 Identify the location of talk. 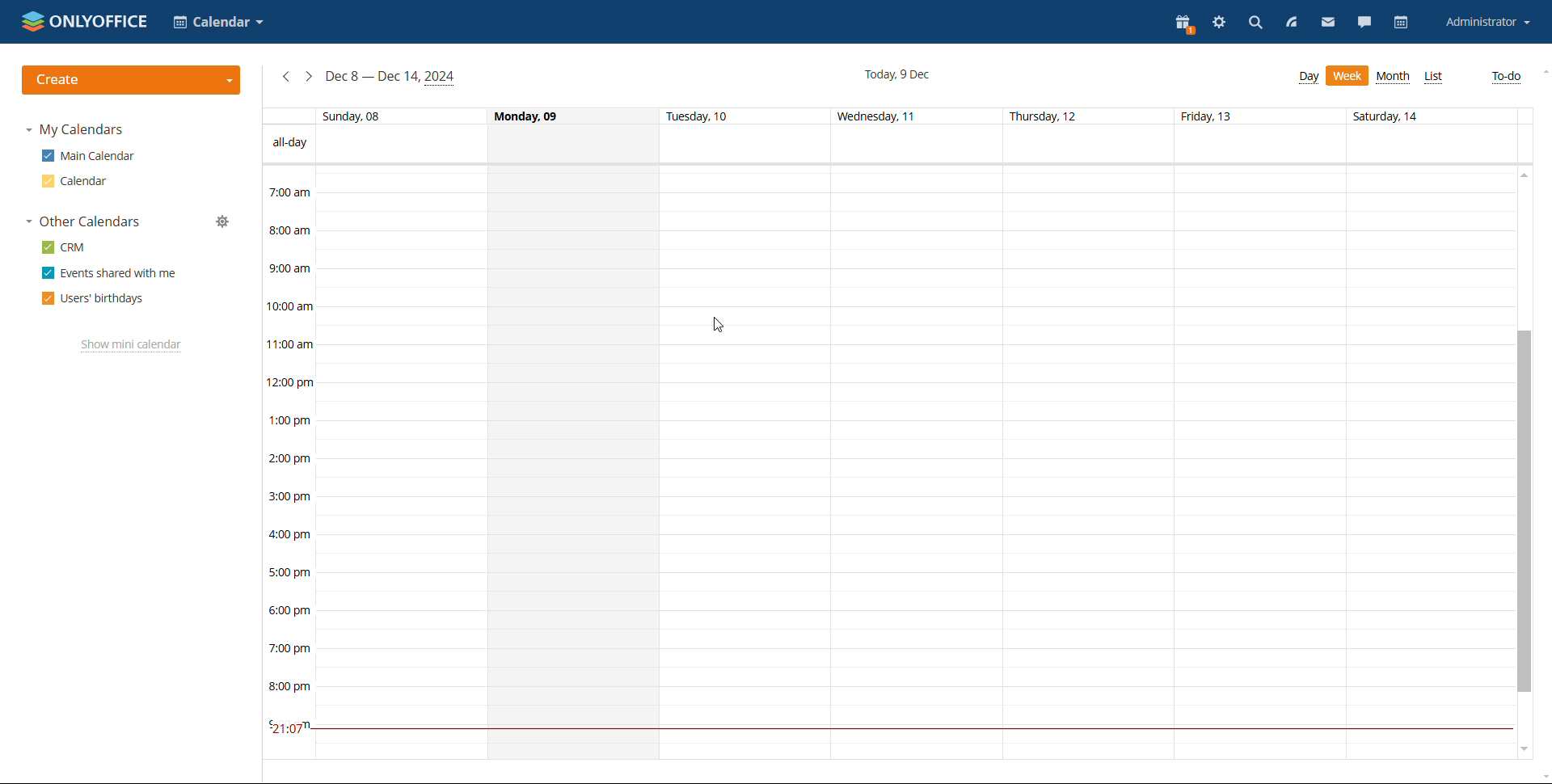
(1363, 23).